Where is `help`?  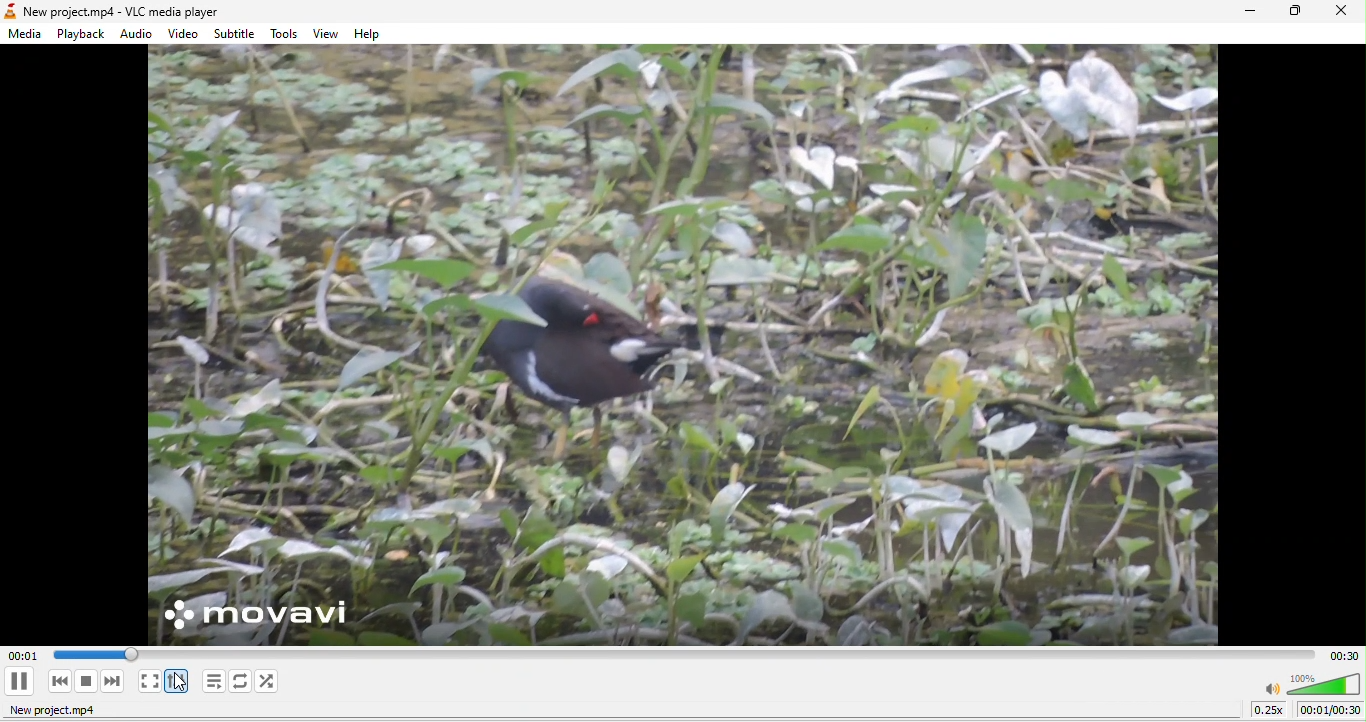
help is located at coordinates (373, 35).